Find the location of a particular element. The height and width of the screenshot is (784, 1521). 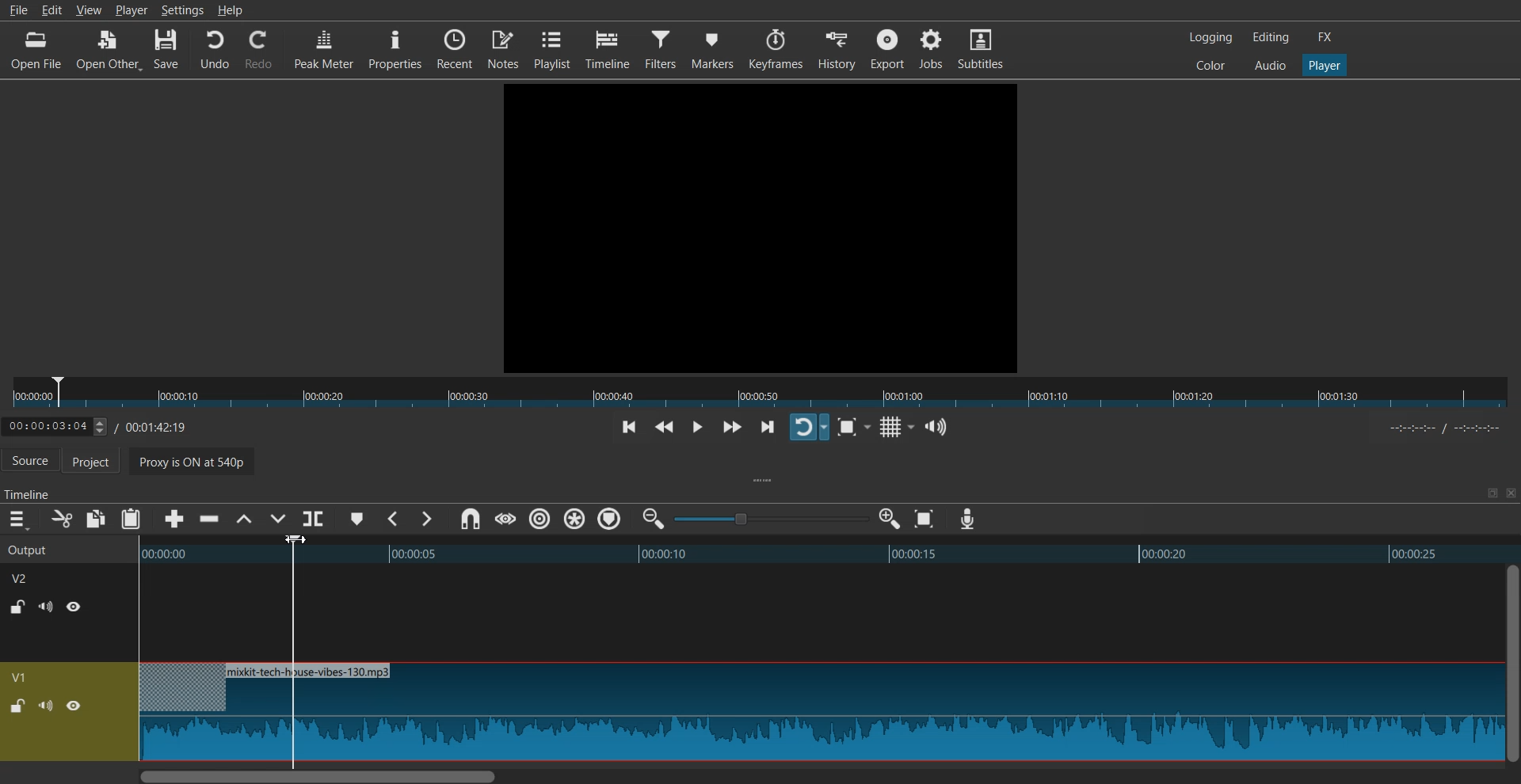

Open File is located at coordinates (38, 50).